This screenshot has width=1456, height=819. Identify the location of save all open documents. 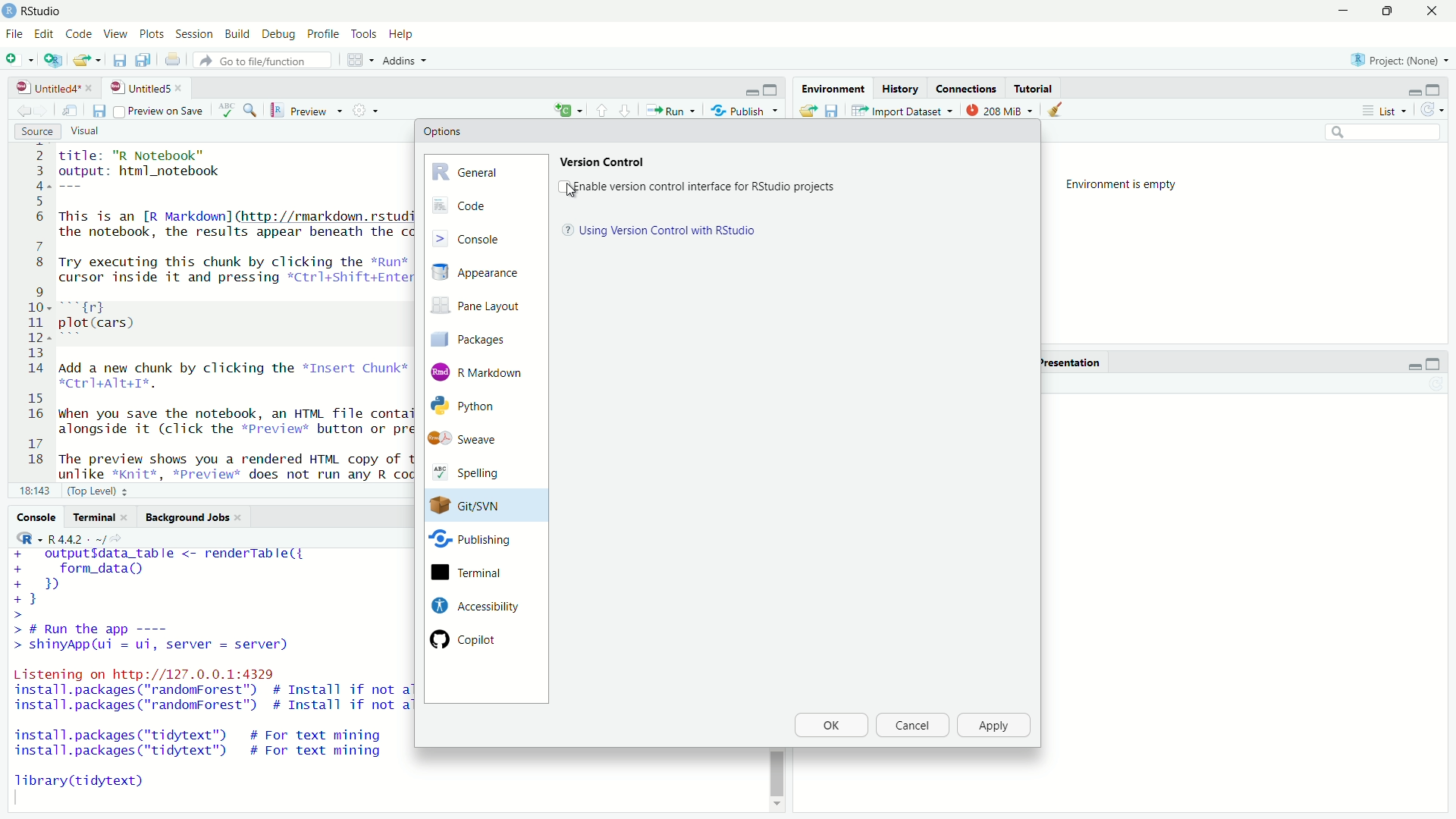
(145, 60).